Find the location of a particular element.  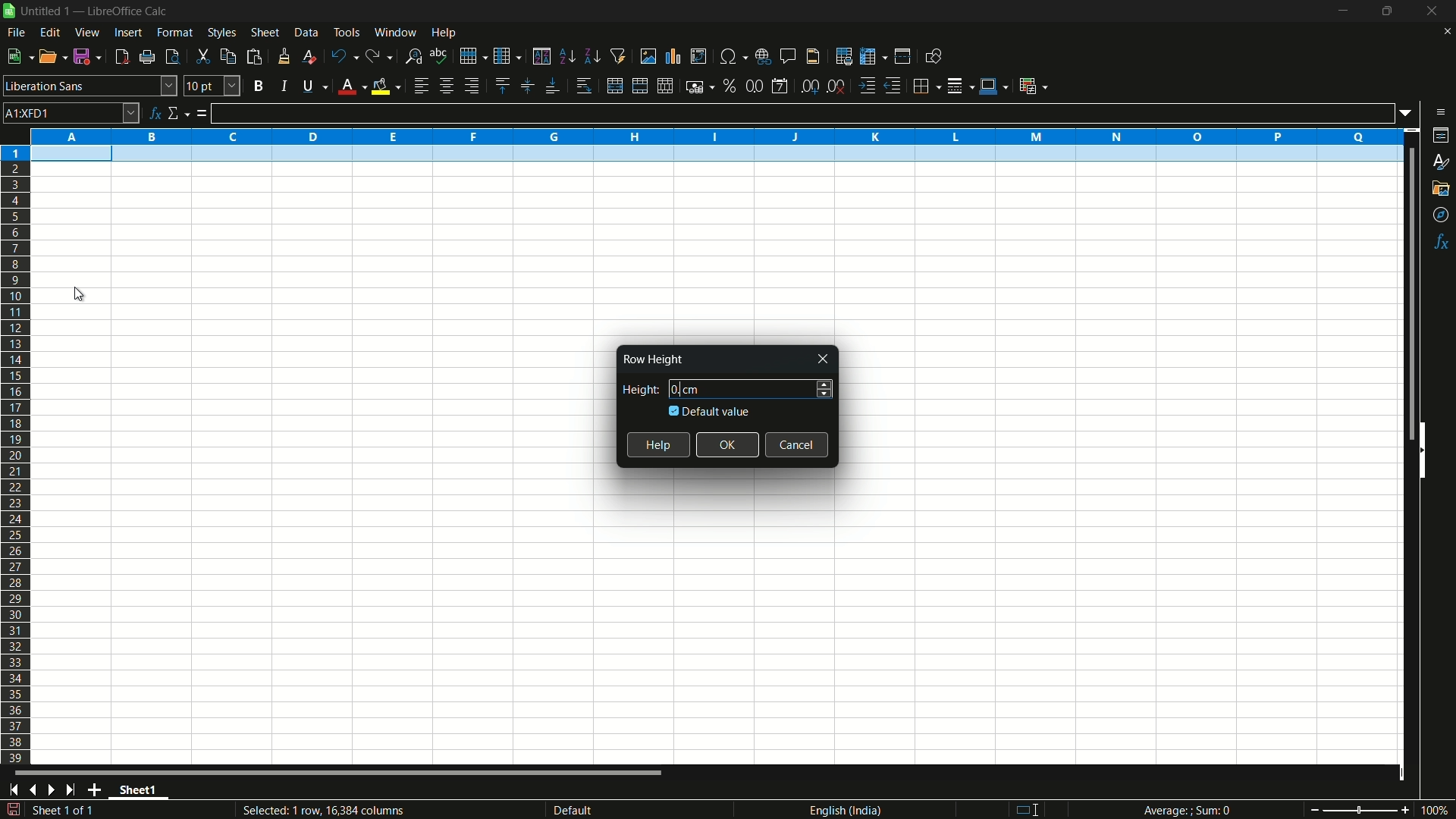

row is located at coordinates (473, 55).